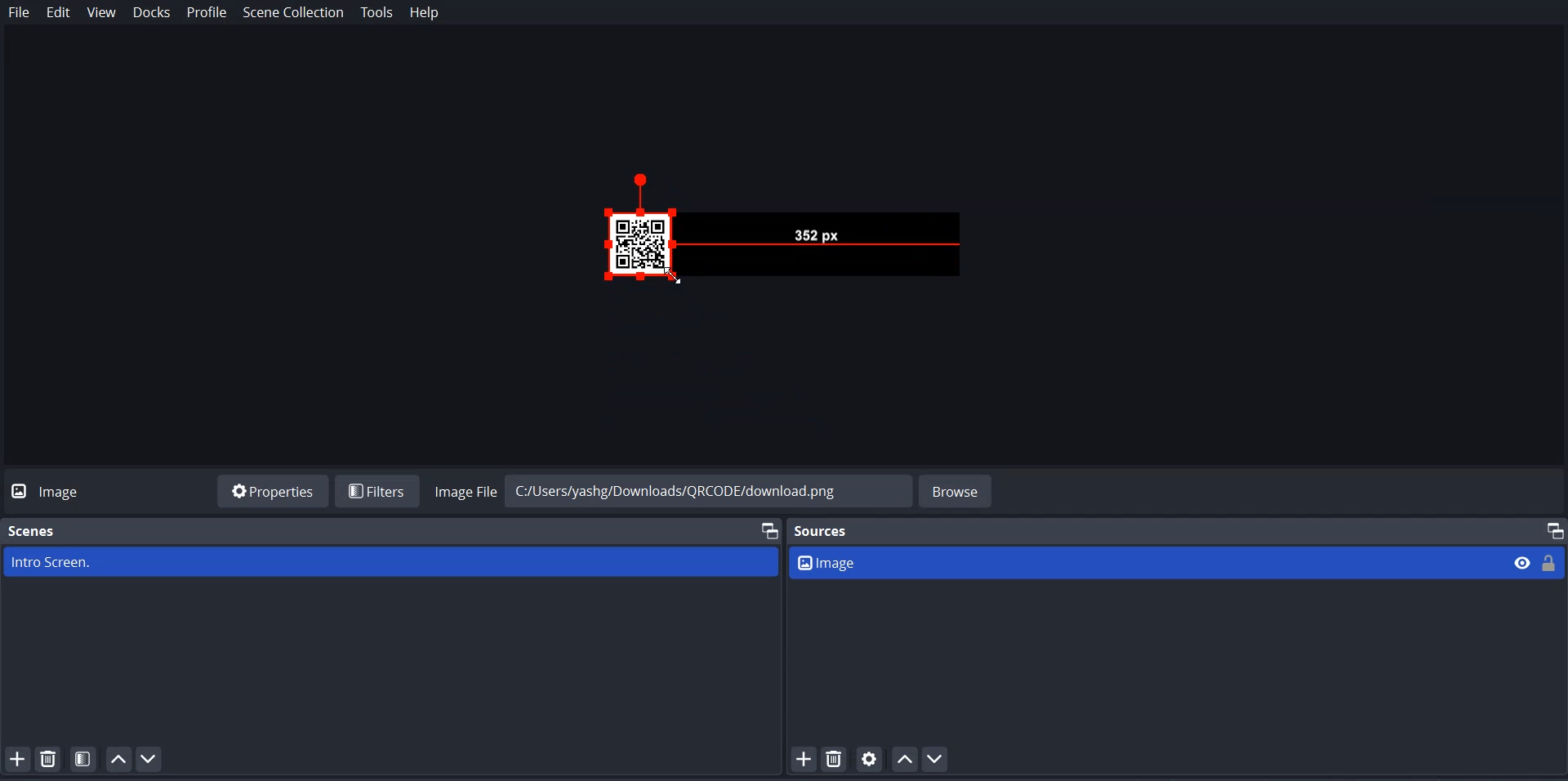  I want to click on Tools, so click(376, 13).